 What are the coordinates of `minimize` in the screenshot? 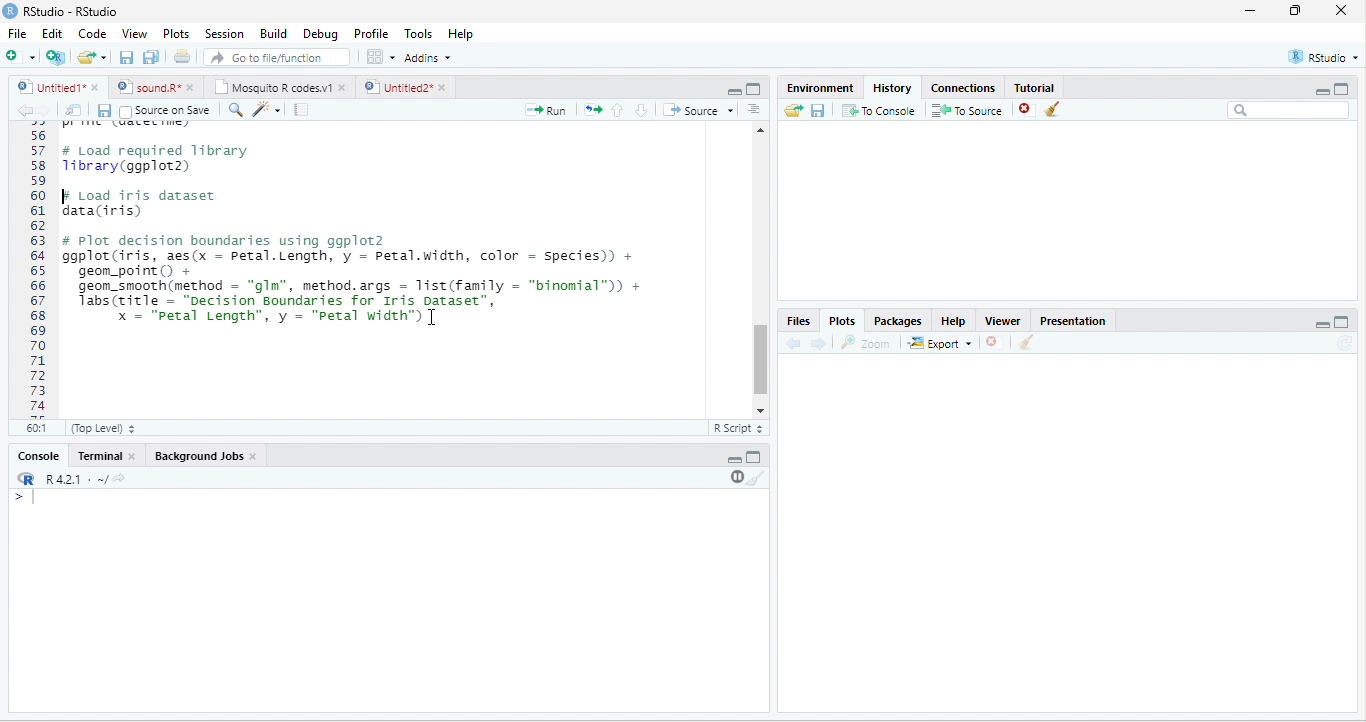 It's located at (1251, 10).